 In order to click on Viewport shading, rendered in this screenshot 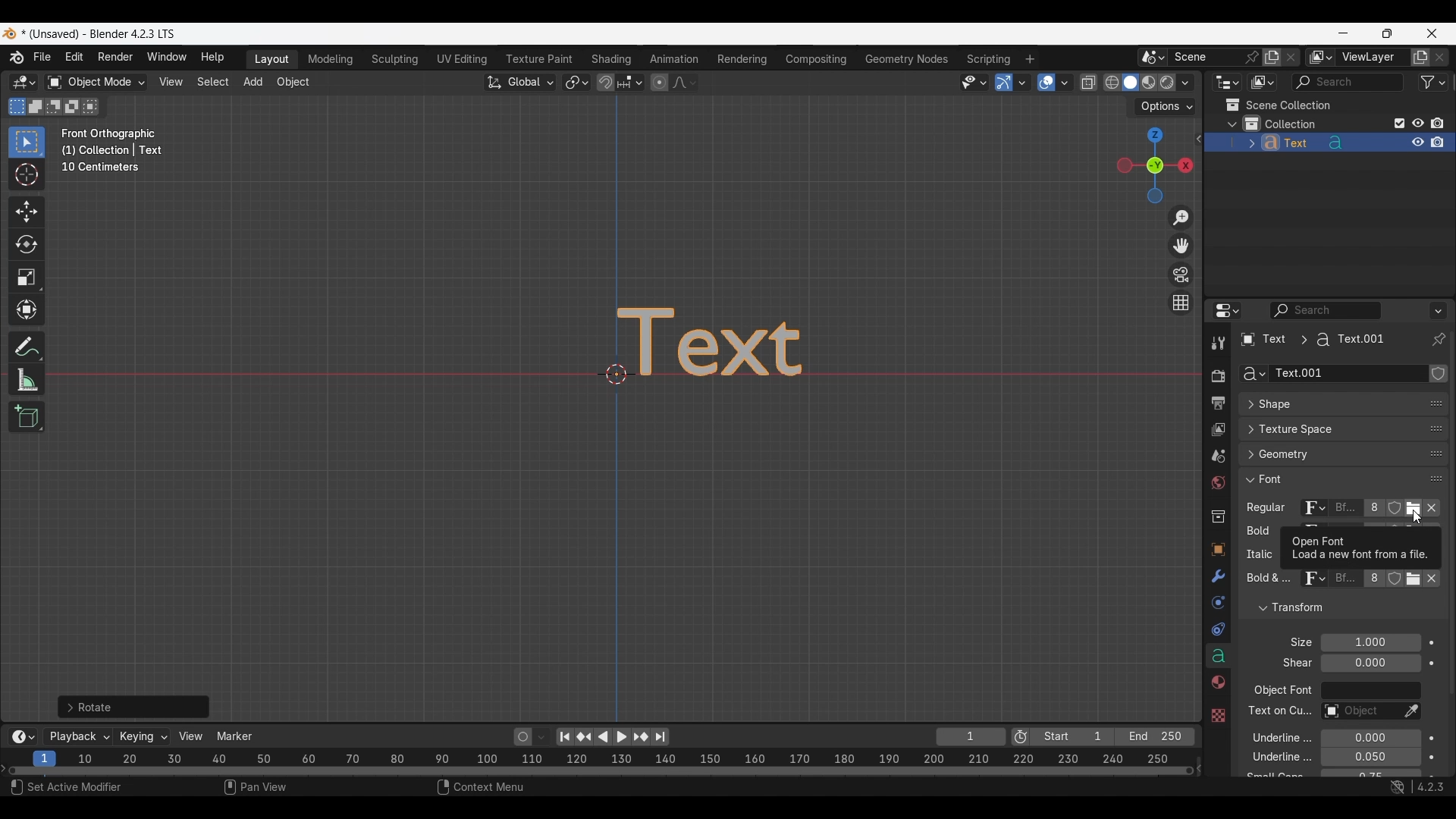, I will do `click(1166, 82)`.